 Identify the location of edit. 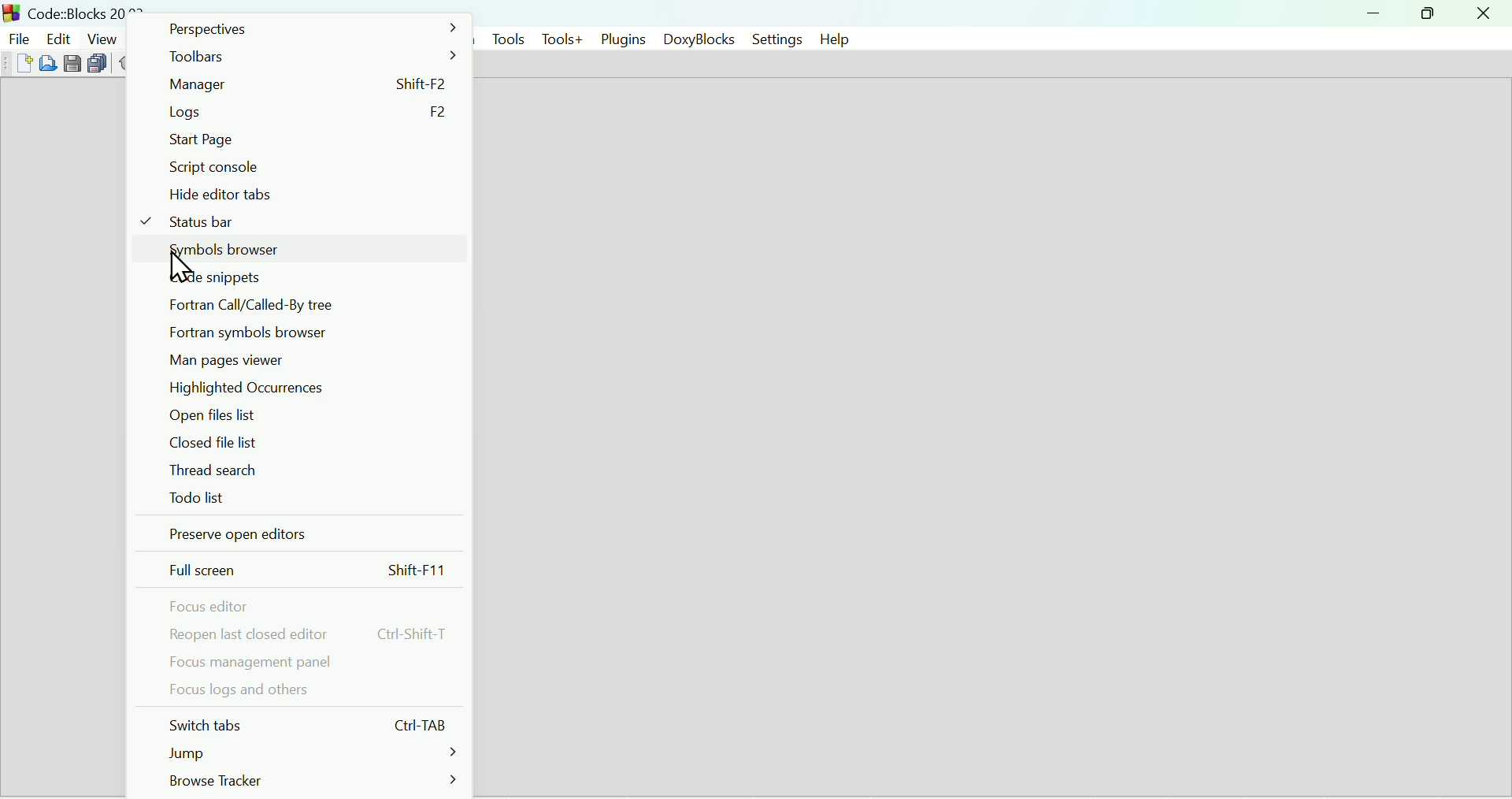
(57, 36).